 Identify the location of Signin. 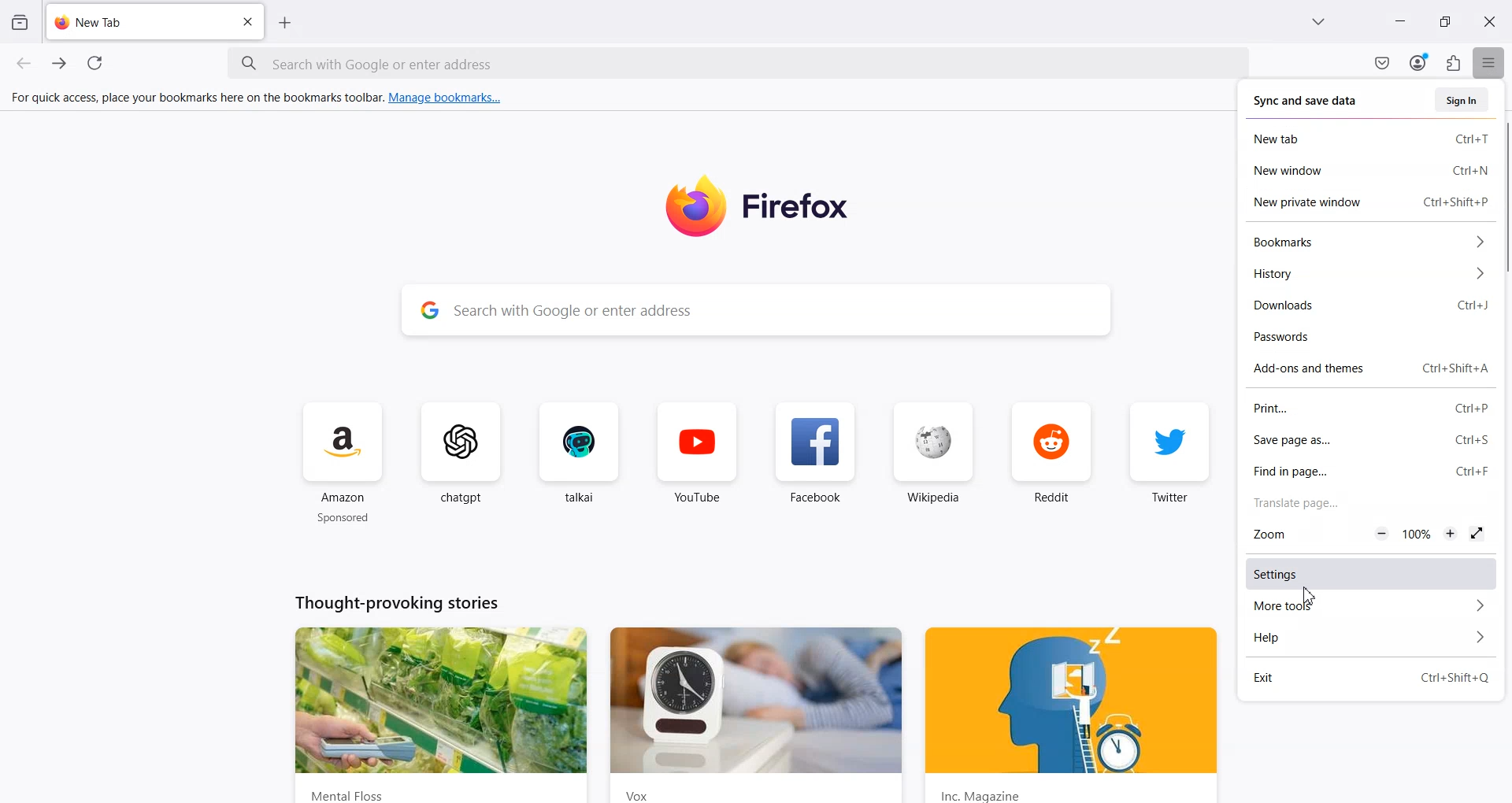
(1463, 100).